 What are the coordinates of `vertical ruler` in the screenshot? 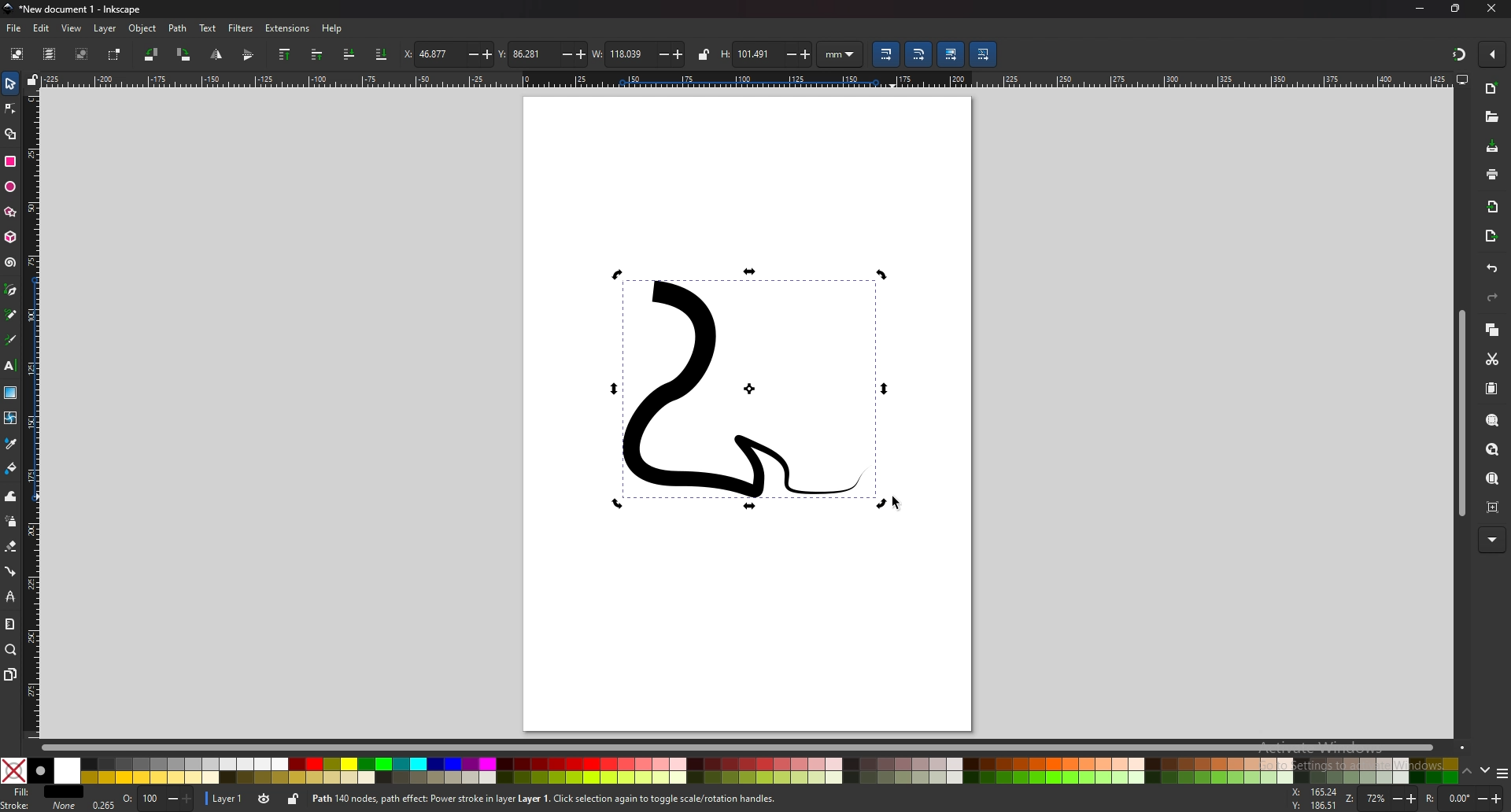 It's located at (34, 415).